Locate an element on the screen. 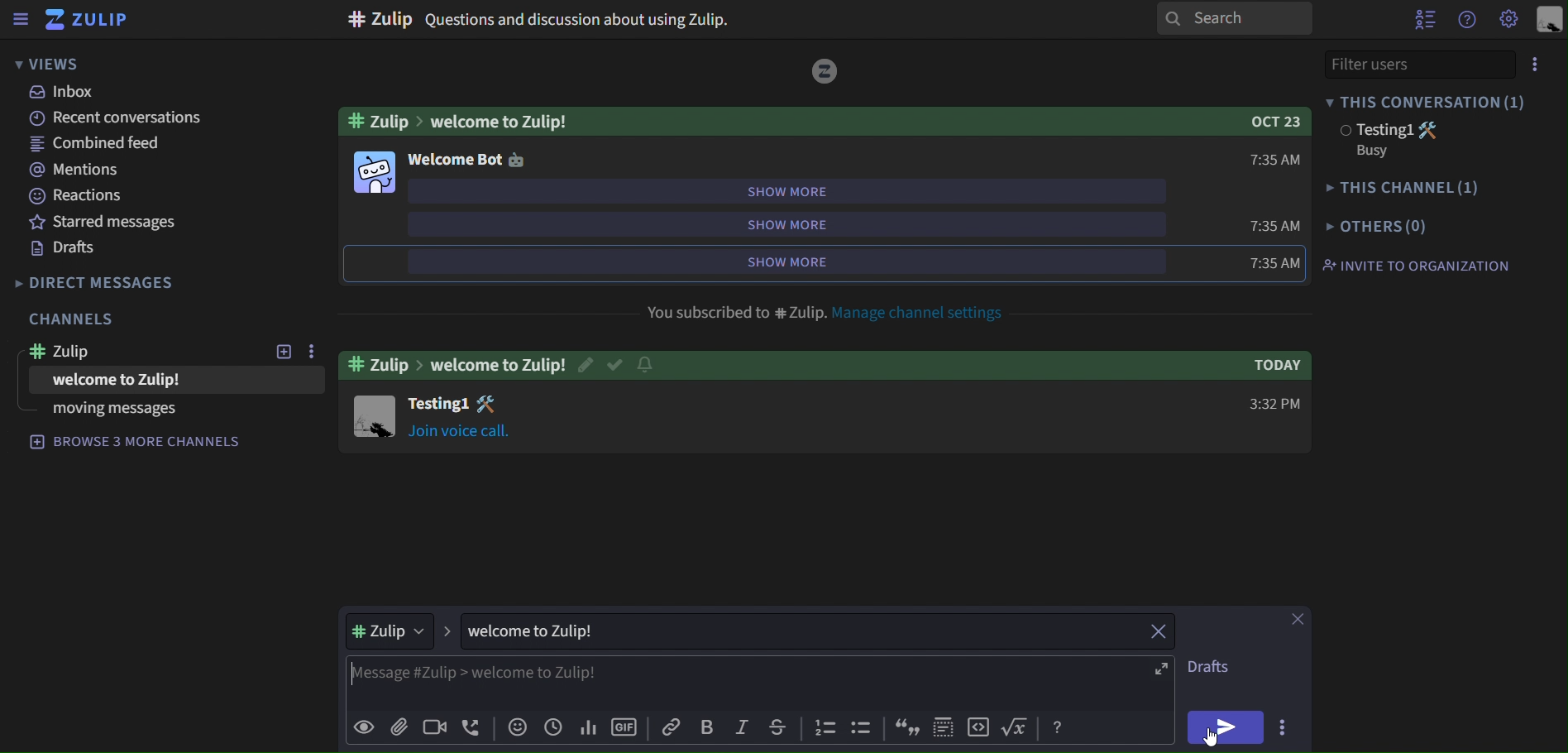  #Zulip > welcome to Zulip! is located at coordinates (452, 363).